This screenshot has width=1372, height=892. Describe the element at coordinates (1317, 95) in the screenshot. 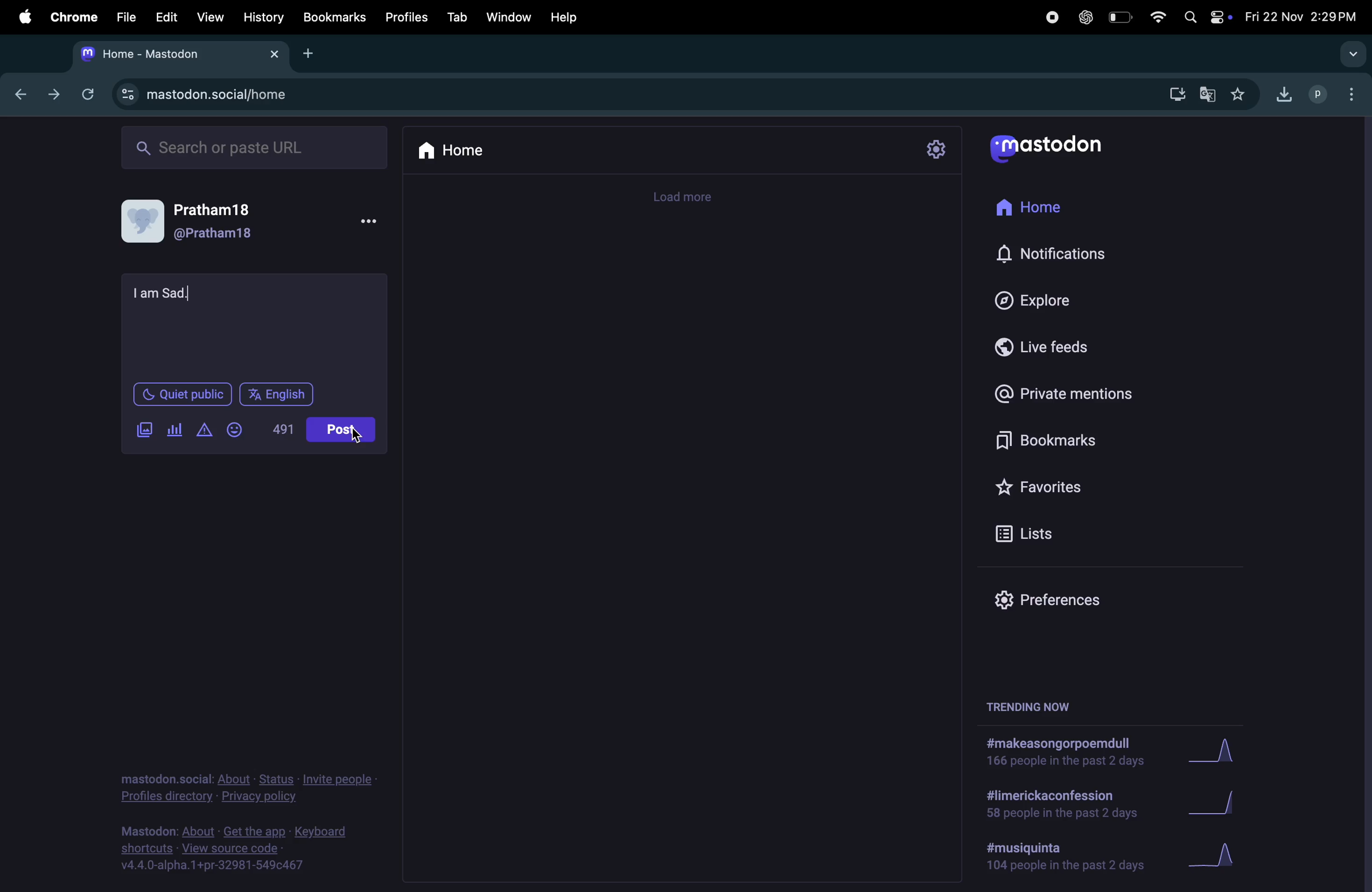

I see `profiles` at that location.